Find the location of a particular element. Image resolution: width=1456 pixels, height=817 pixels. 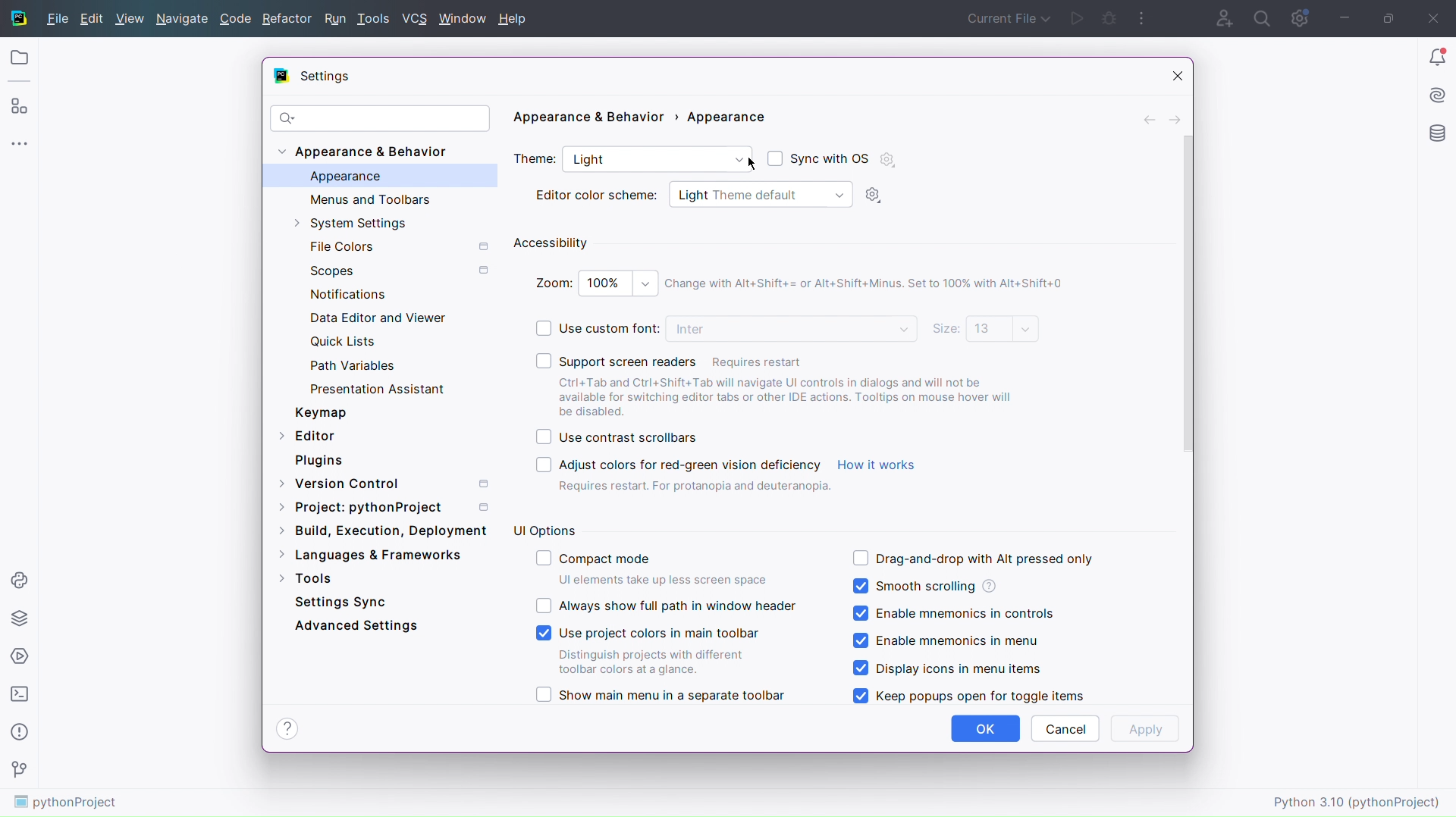

Notifications is located at coordinates (344, 293).